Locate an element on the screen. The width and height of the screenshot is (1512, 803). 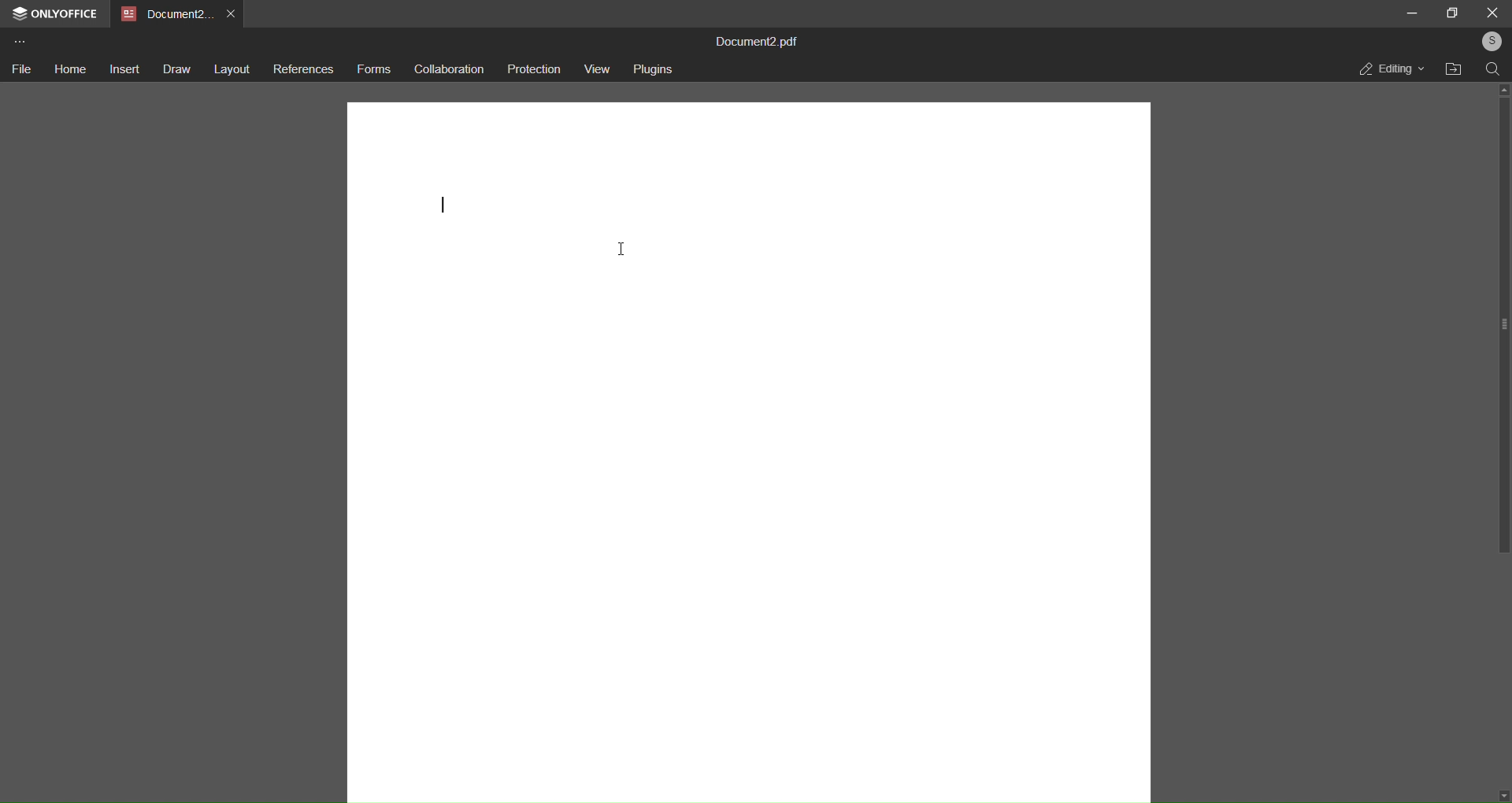
minimize is located at coordinates (1411, 12).